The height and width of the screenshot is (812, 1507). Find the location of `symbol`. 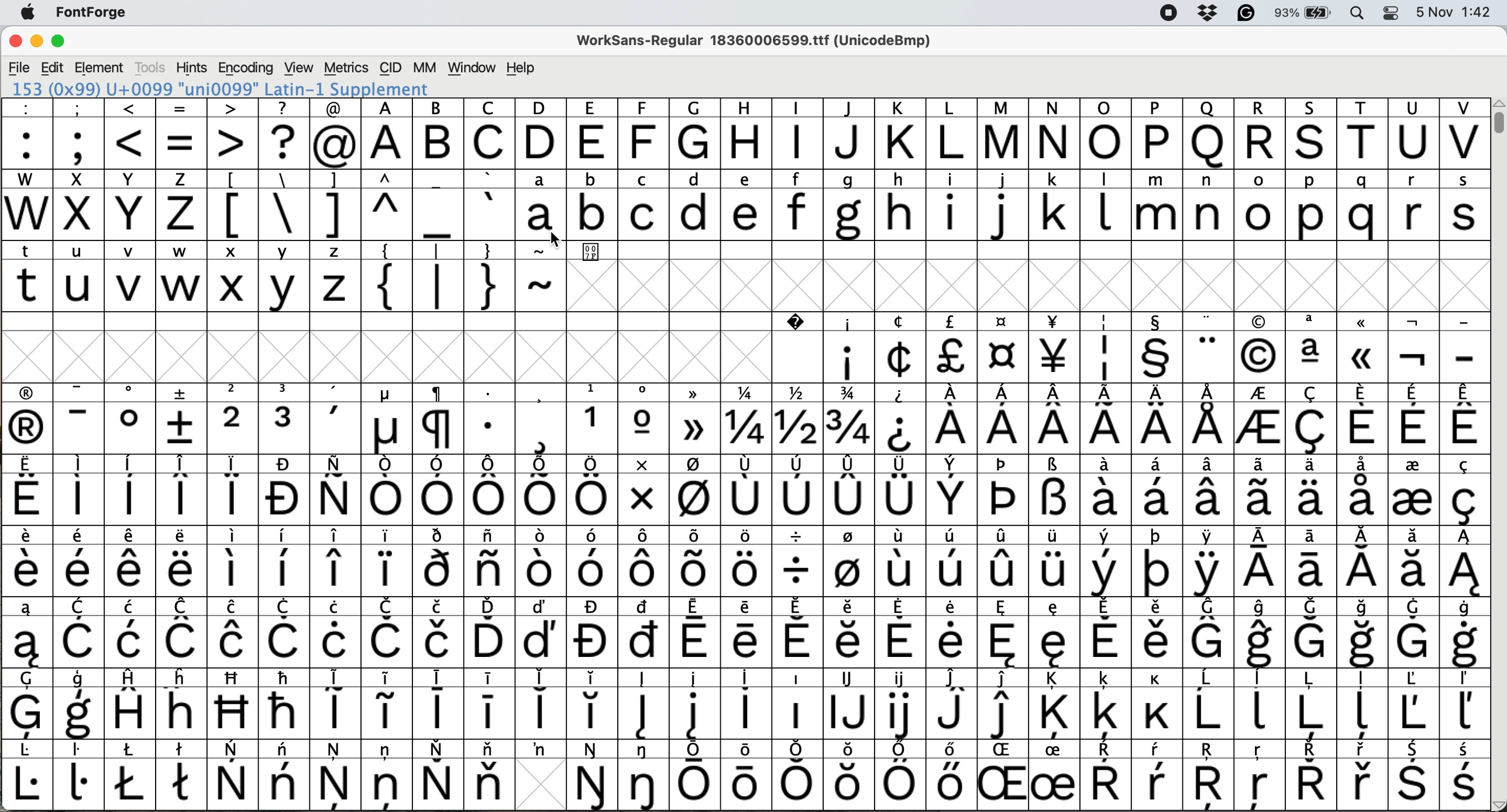

symbol is located at coordinates (285, 775).